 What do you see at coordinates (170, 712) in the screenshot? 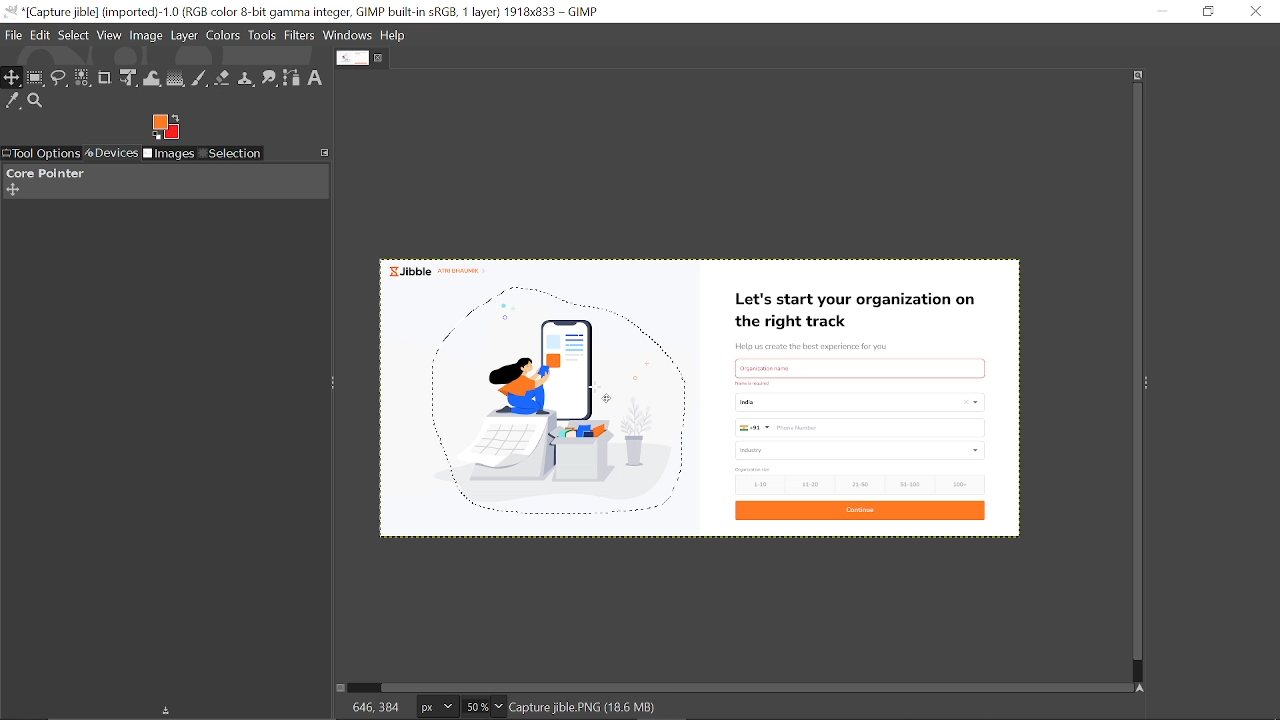
I see `Save device status` at bounding box center [170, 712].